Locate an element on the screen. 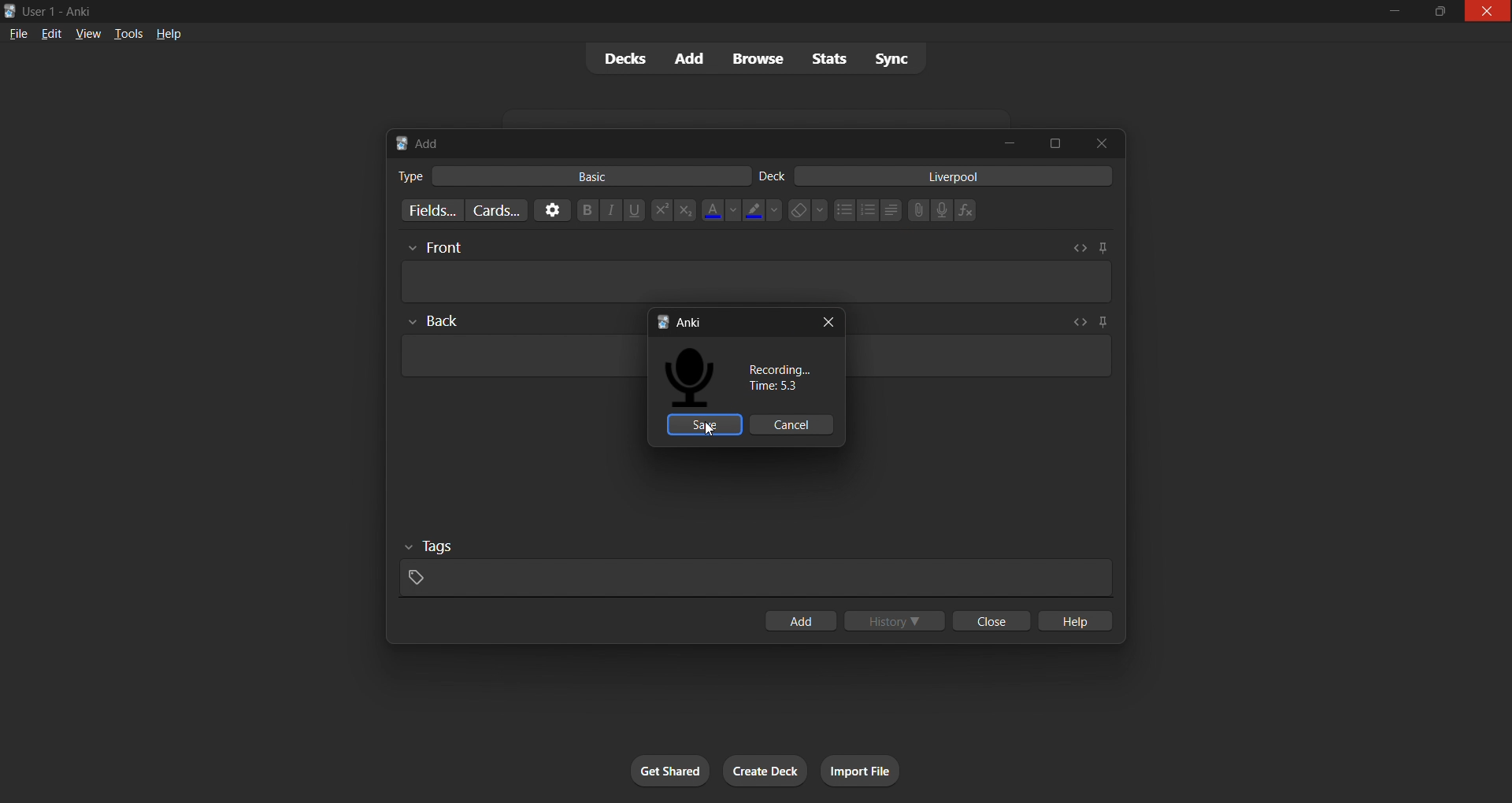 The height and width of the screenshot is (803, 1512). get shared is located at coordinates (654, 766).